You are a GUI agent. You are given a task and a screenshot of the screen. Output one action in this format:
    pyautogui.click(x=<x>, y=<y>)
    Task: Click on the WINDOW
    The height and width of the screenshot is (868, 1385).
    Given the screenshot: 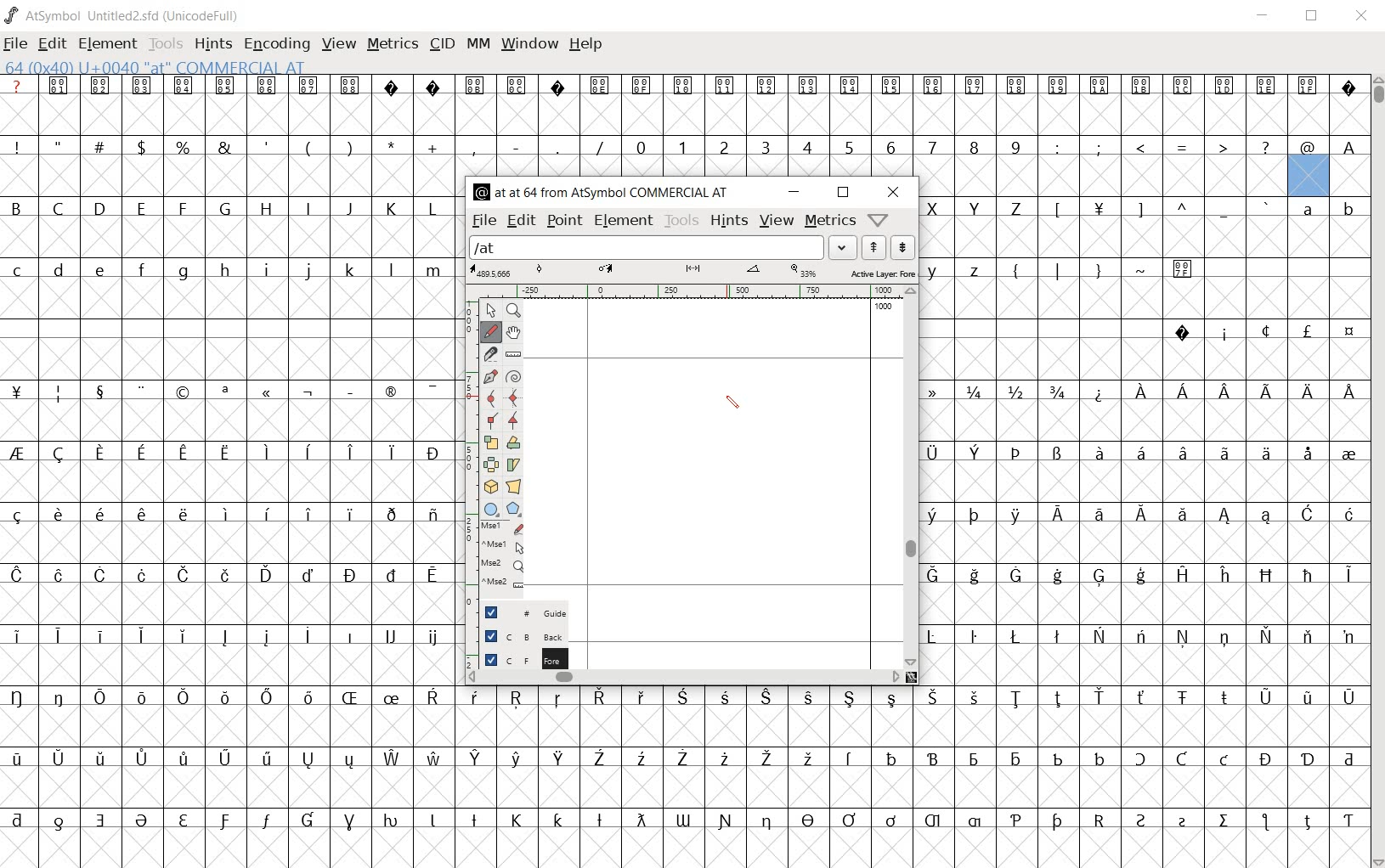 What is the action you would take?
    pyautogui.click(x=532, y=42)
    